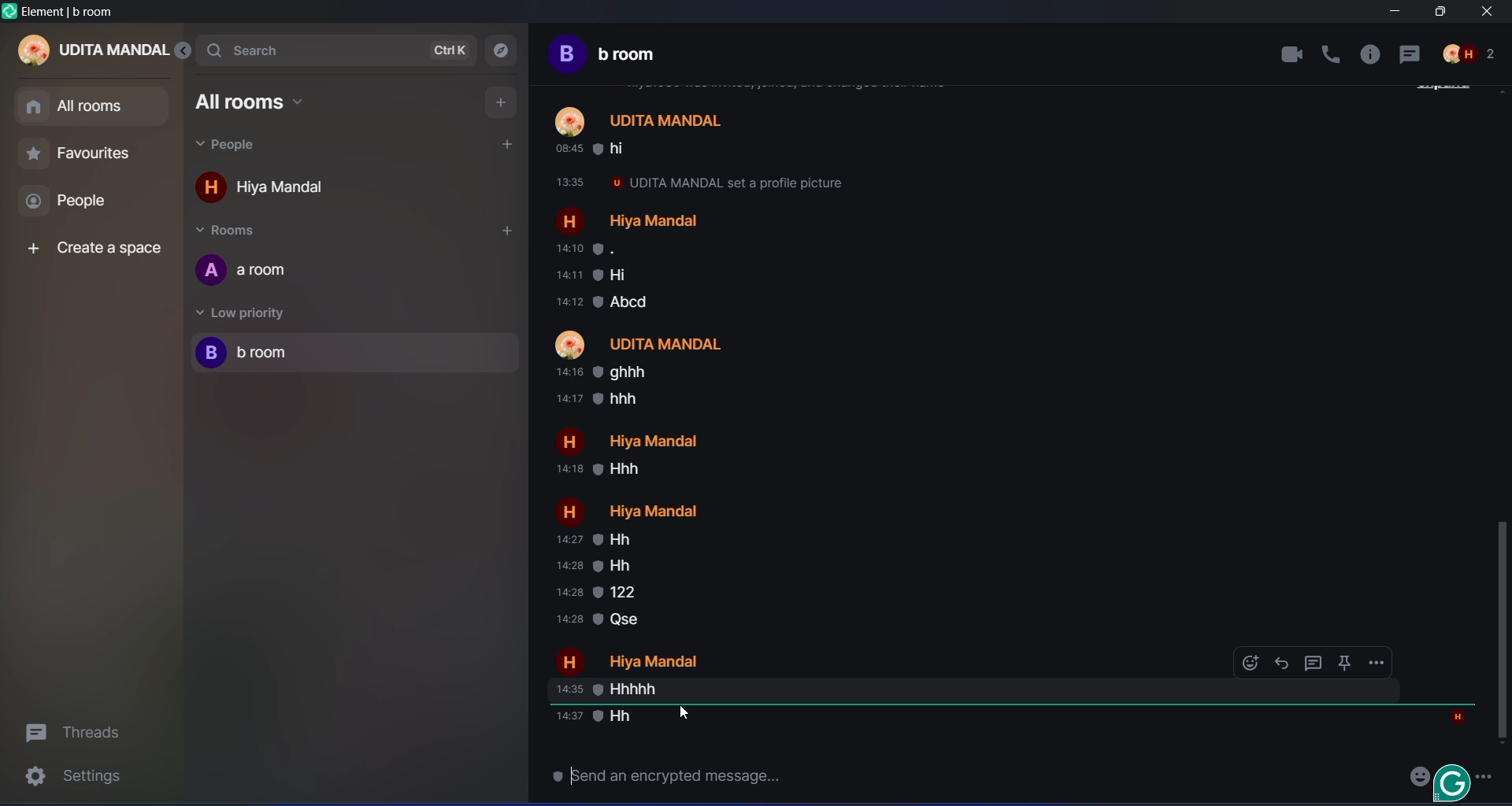 This screenshot has width=1512, height=806. Describe the element at coordinates (1489, 774) in the screenshot. I see `More option` at that location.